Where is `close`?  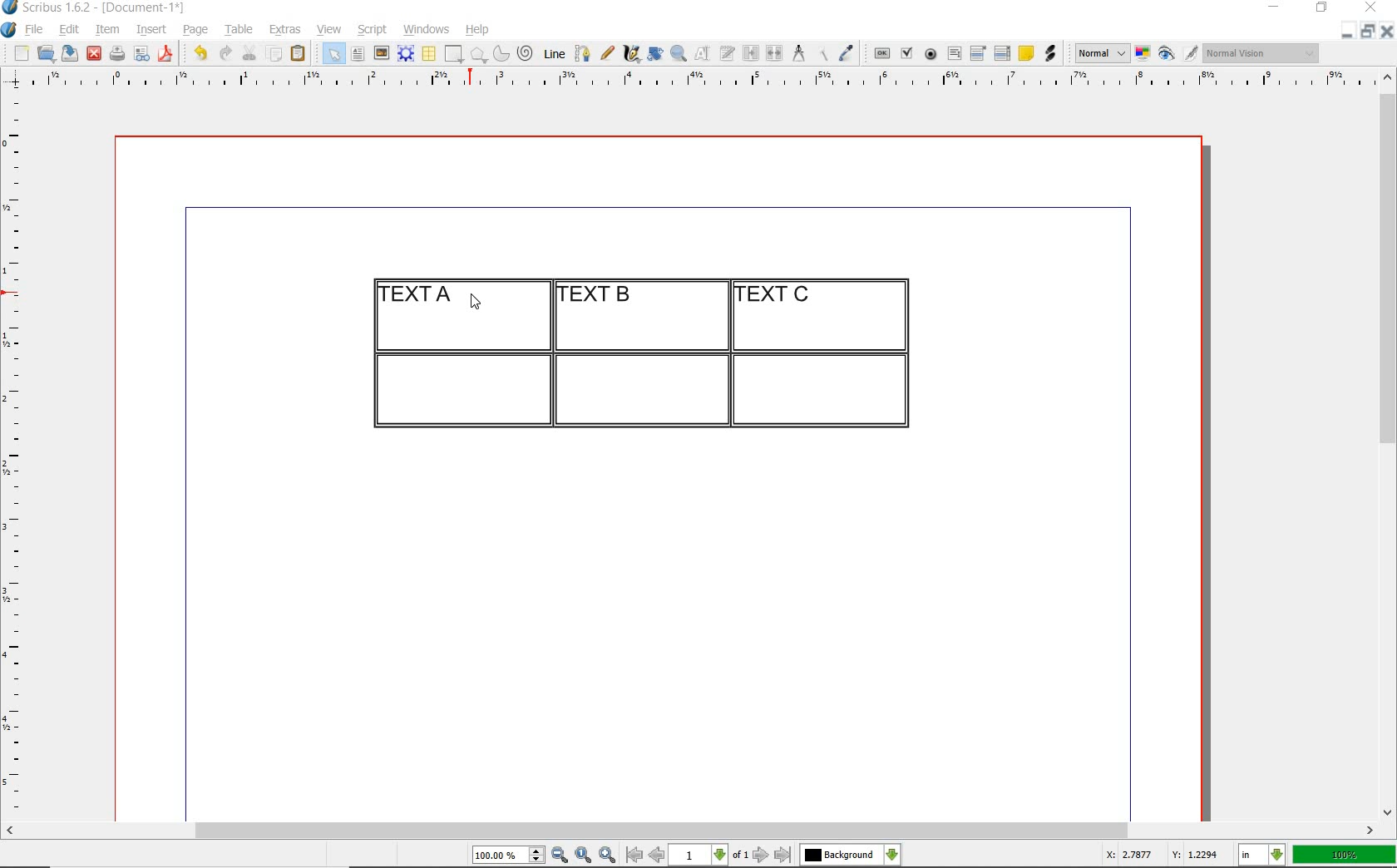
close is located at coordinates (1374, 7).